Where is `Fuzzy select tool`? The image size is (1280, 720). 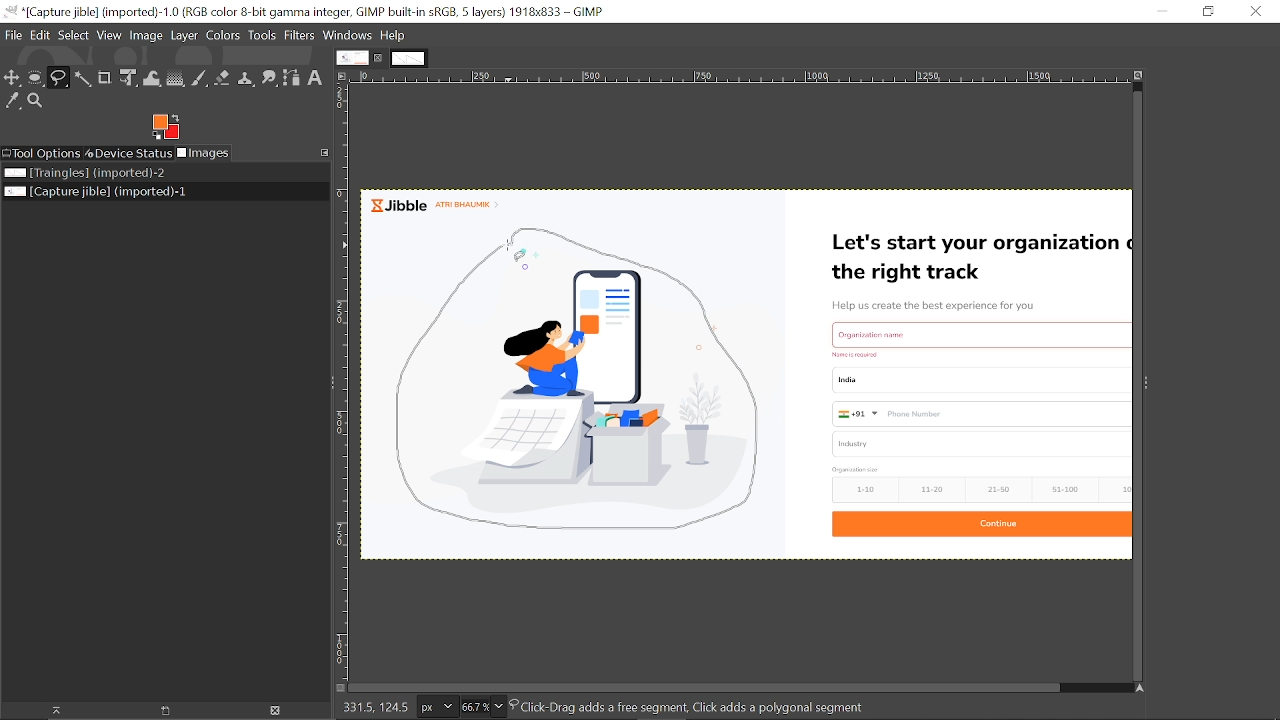 Fuzzy select tool is located at coordinates (84, 79).